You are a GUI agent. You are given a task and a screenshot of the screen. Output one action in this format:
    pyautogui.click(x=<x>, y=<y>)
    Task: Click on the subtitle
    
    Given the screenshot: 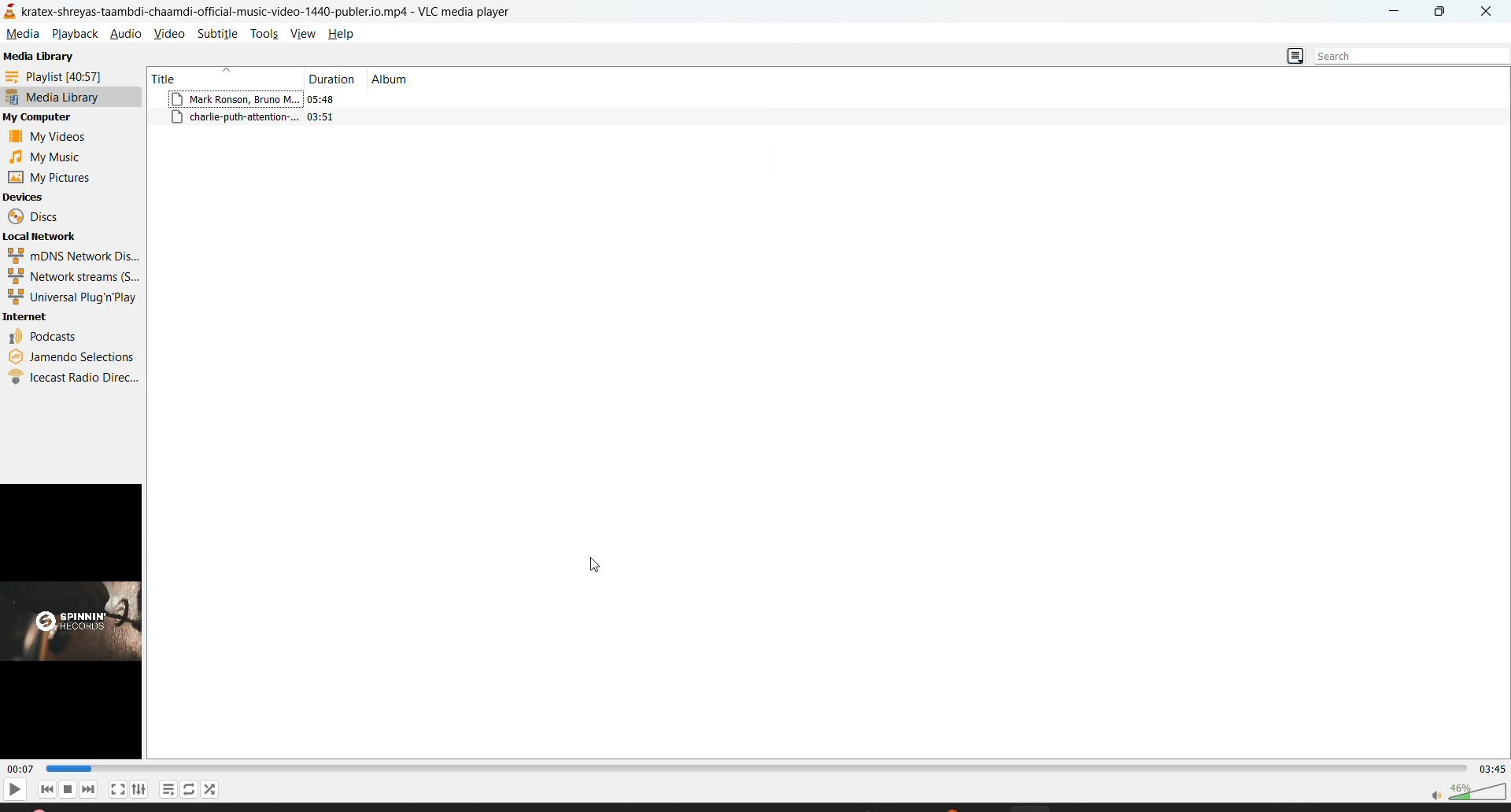 What is the action you would take?
    pyautogui.click(x=220, y=32)
    